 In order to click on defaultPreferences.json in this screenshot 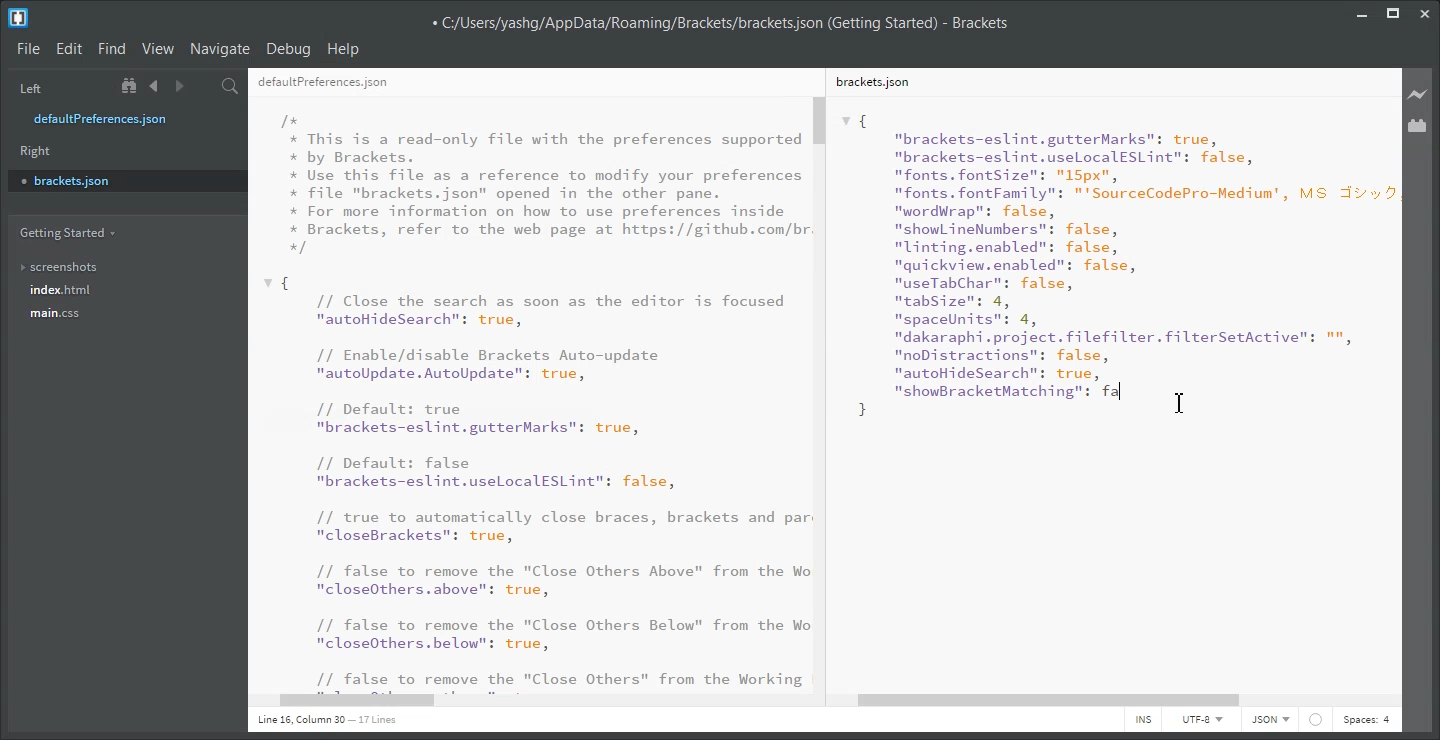, I will do `click(113, 119)`.